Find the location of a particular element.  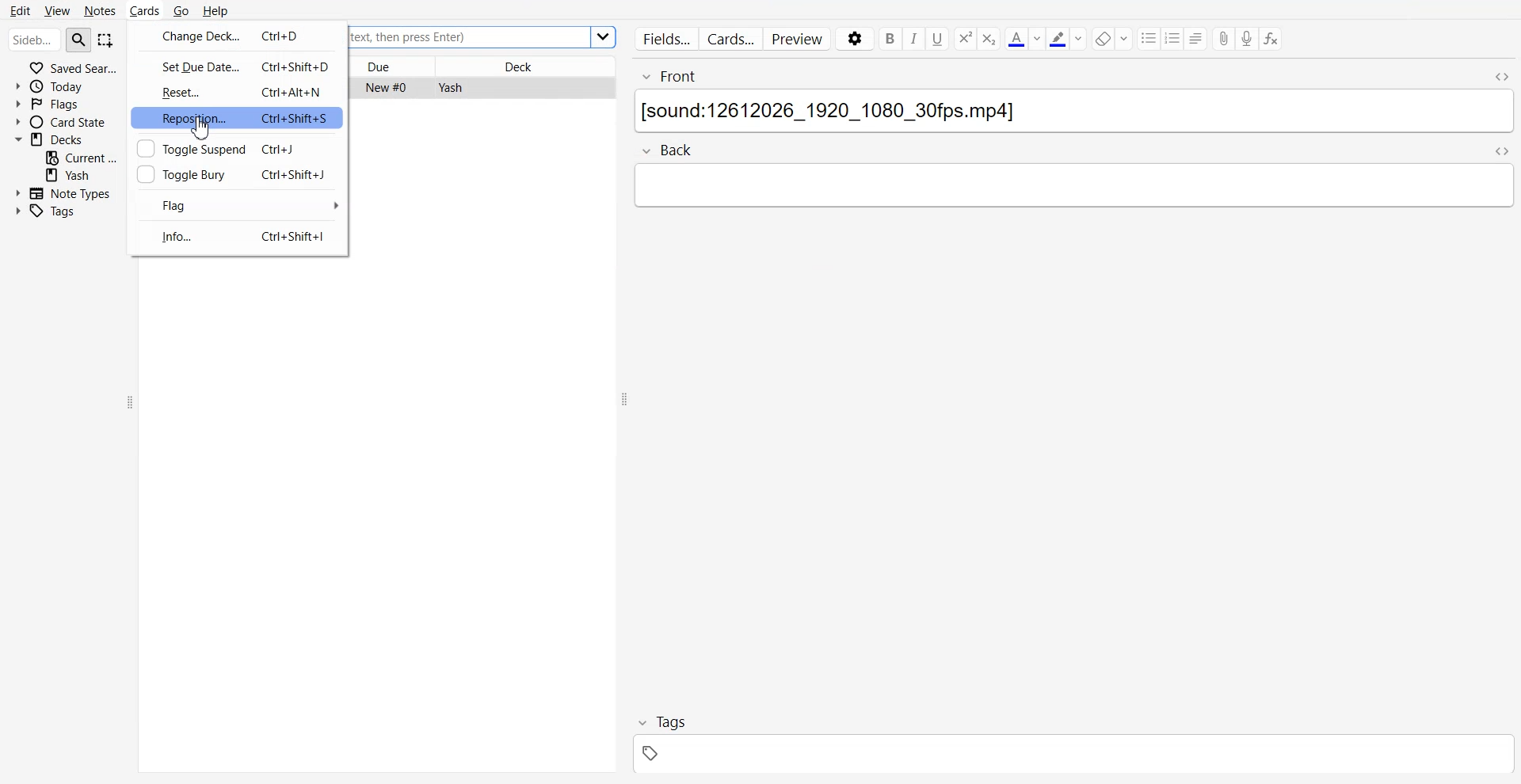

Search Bar is located at coordinates (470, 37).